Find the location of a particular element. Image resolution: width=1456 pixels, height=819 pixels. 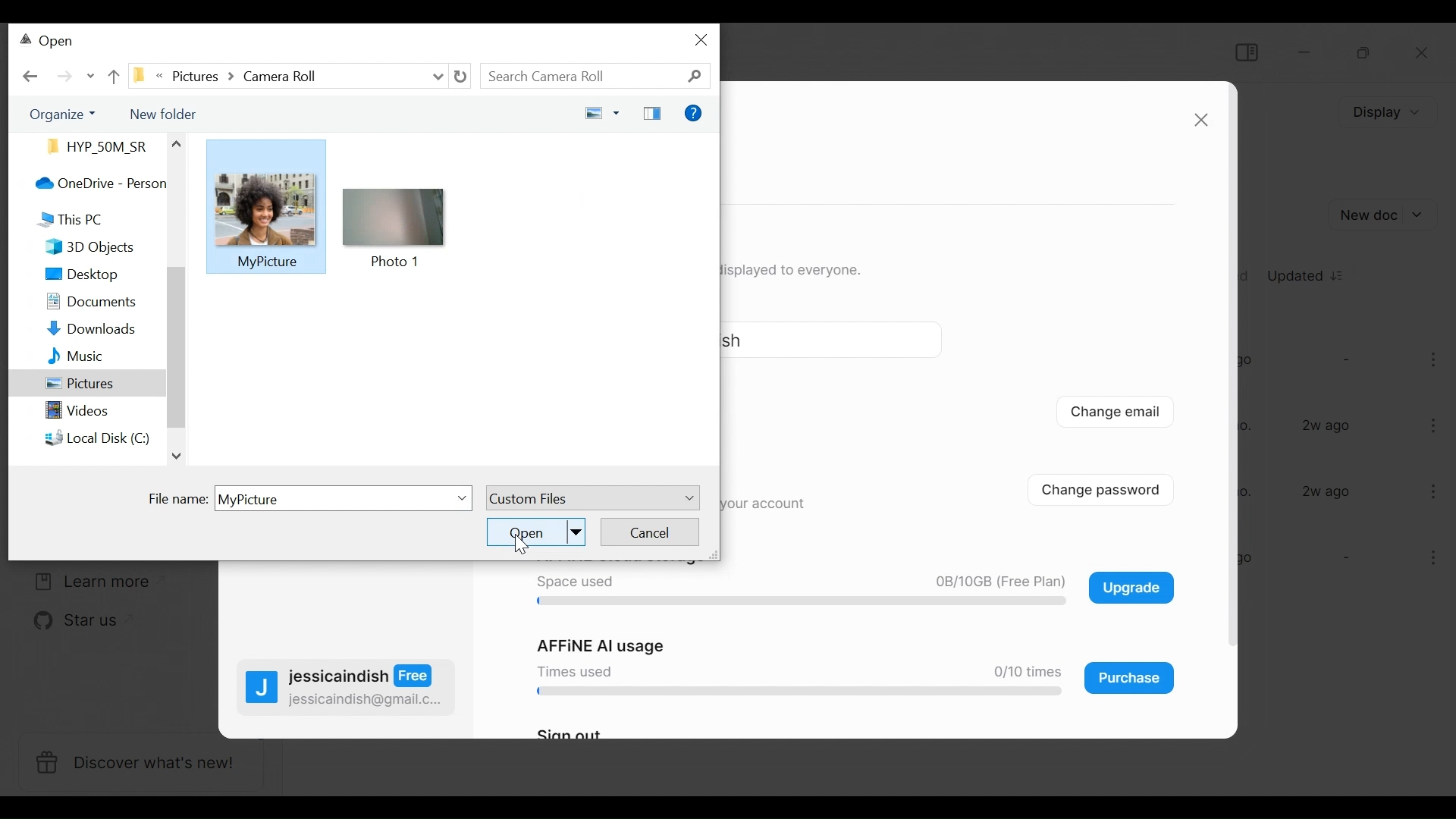

Change password is located at coordinates (1112, 488).